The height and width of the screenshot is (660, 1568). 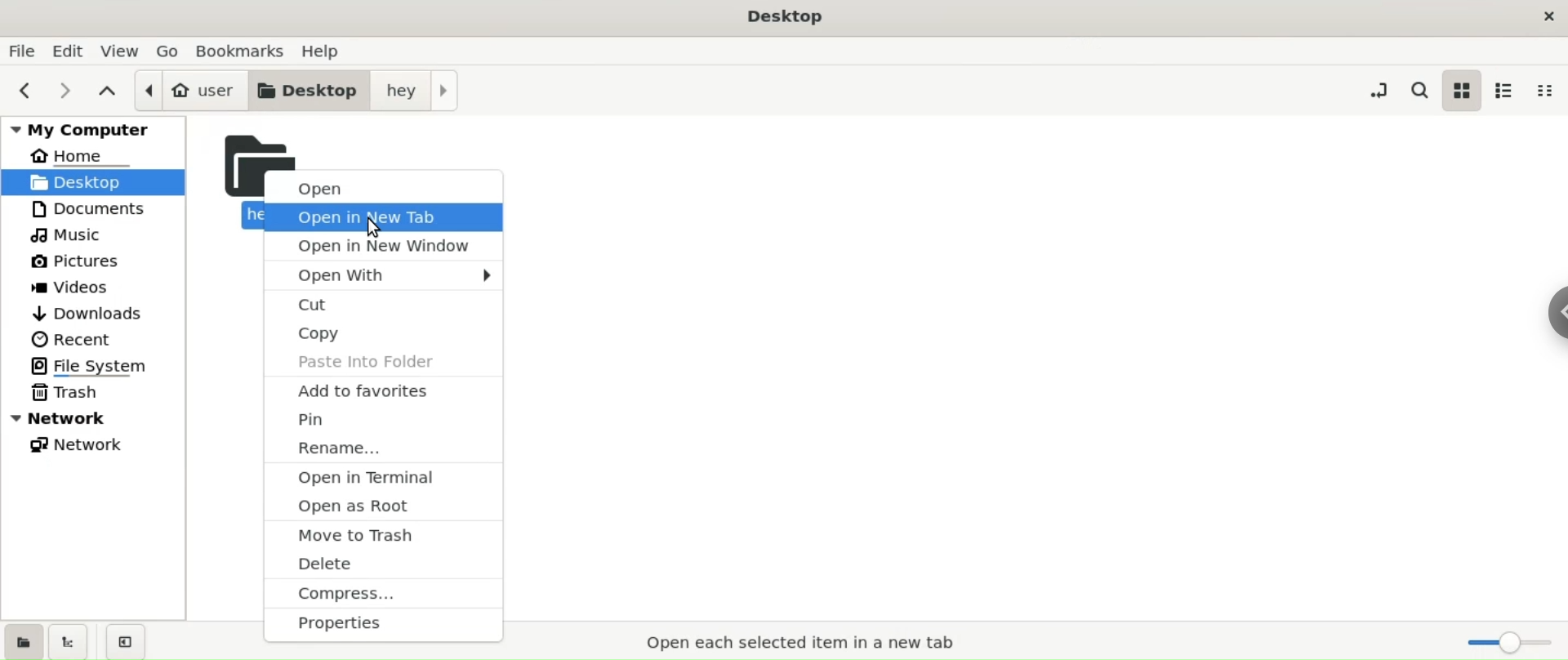 What do you see at coordinates (383, 363) in the screenshot?
I see `paste into folders` at bounding box center [383, 363].